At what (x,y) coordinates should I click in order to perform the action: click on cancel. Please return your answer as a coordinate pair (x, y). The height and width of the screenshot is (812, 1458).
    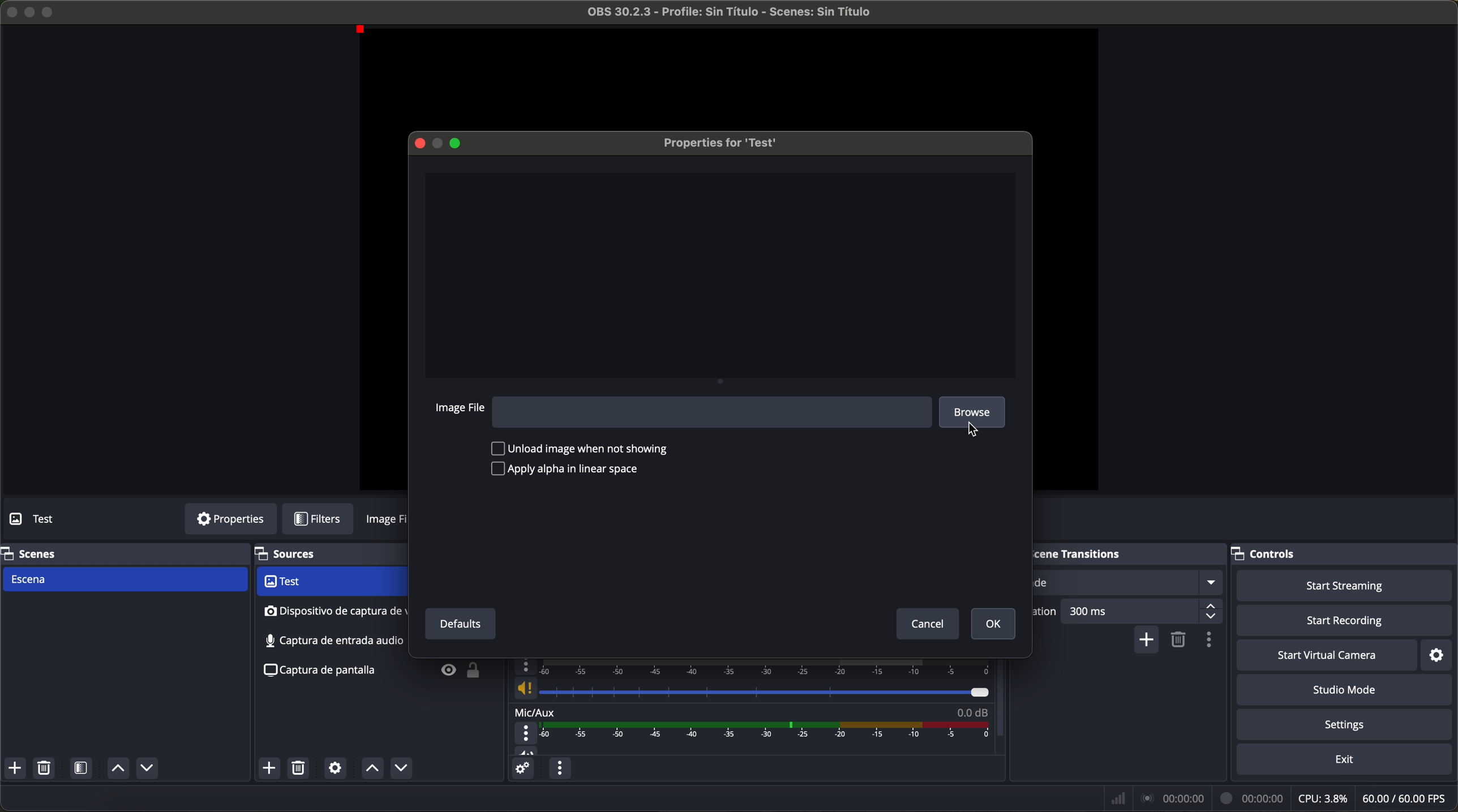
    Looking at the image, I should click on (929, 625).